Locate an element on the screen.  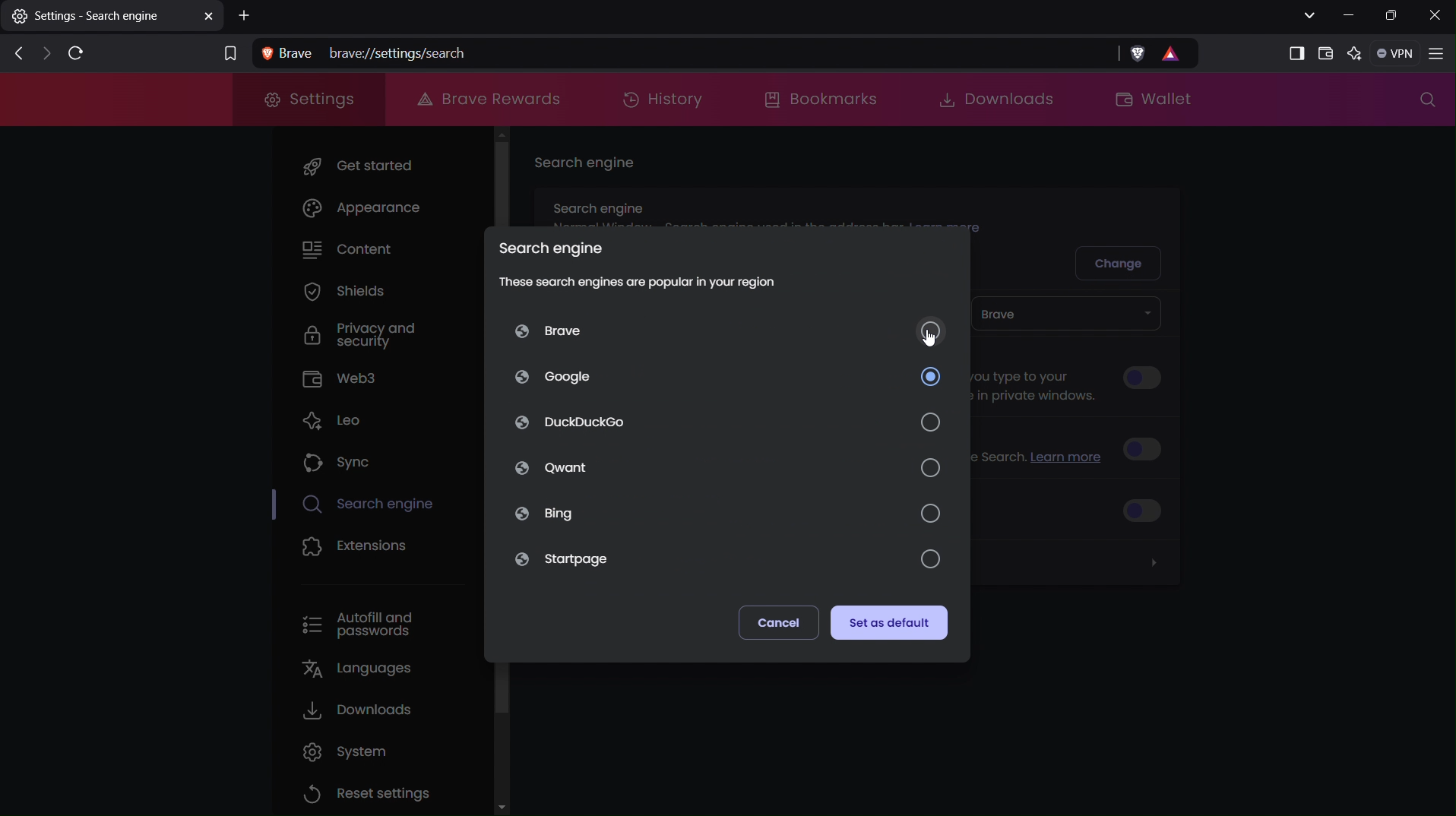
Button is located at coordinates (1149, 448).